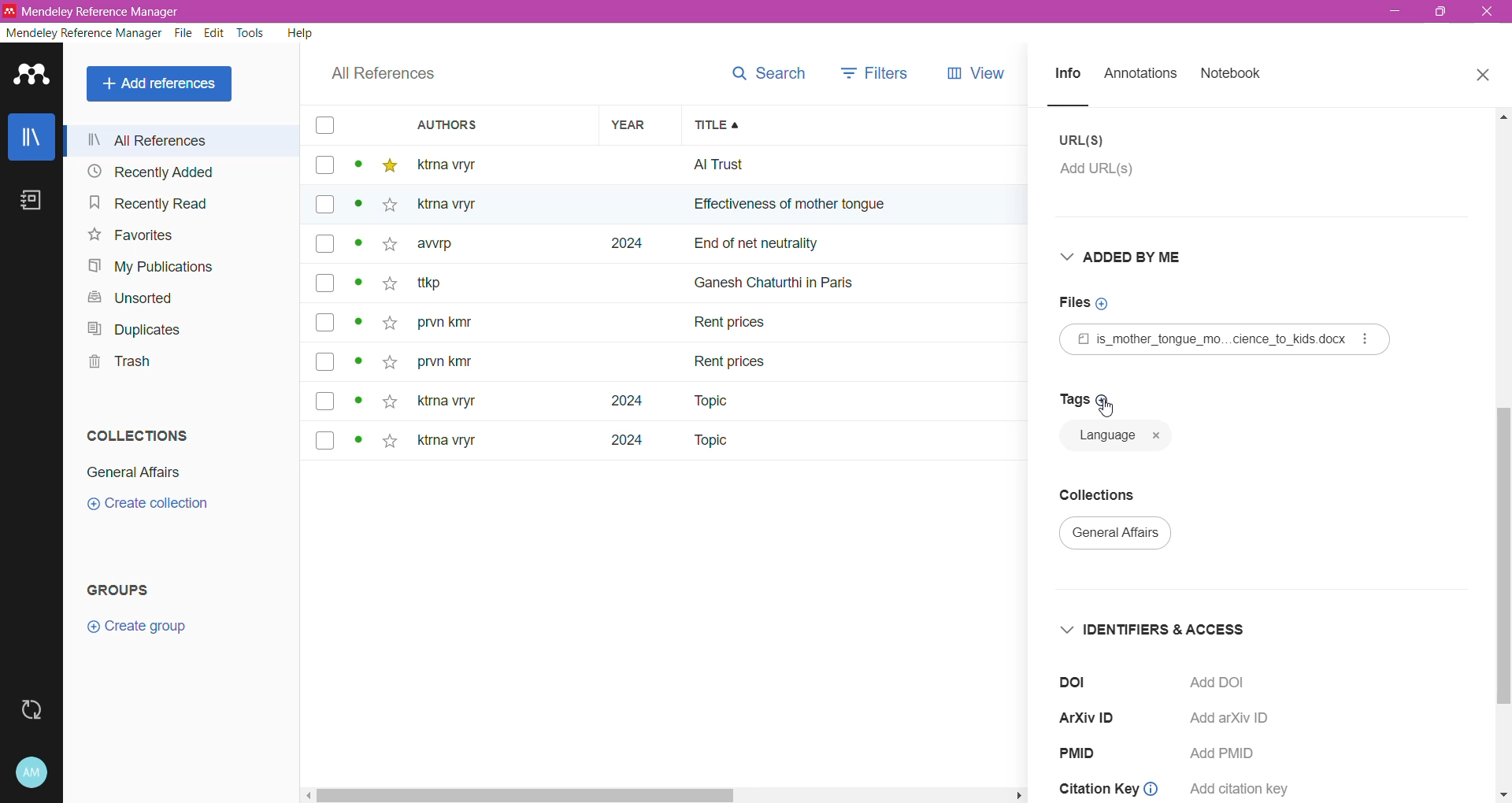 This screenshot has width=1512, height=803. Describe the element at coordinates (384, 250) in the screenshot. I see `star` at that location.